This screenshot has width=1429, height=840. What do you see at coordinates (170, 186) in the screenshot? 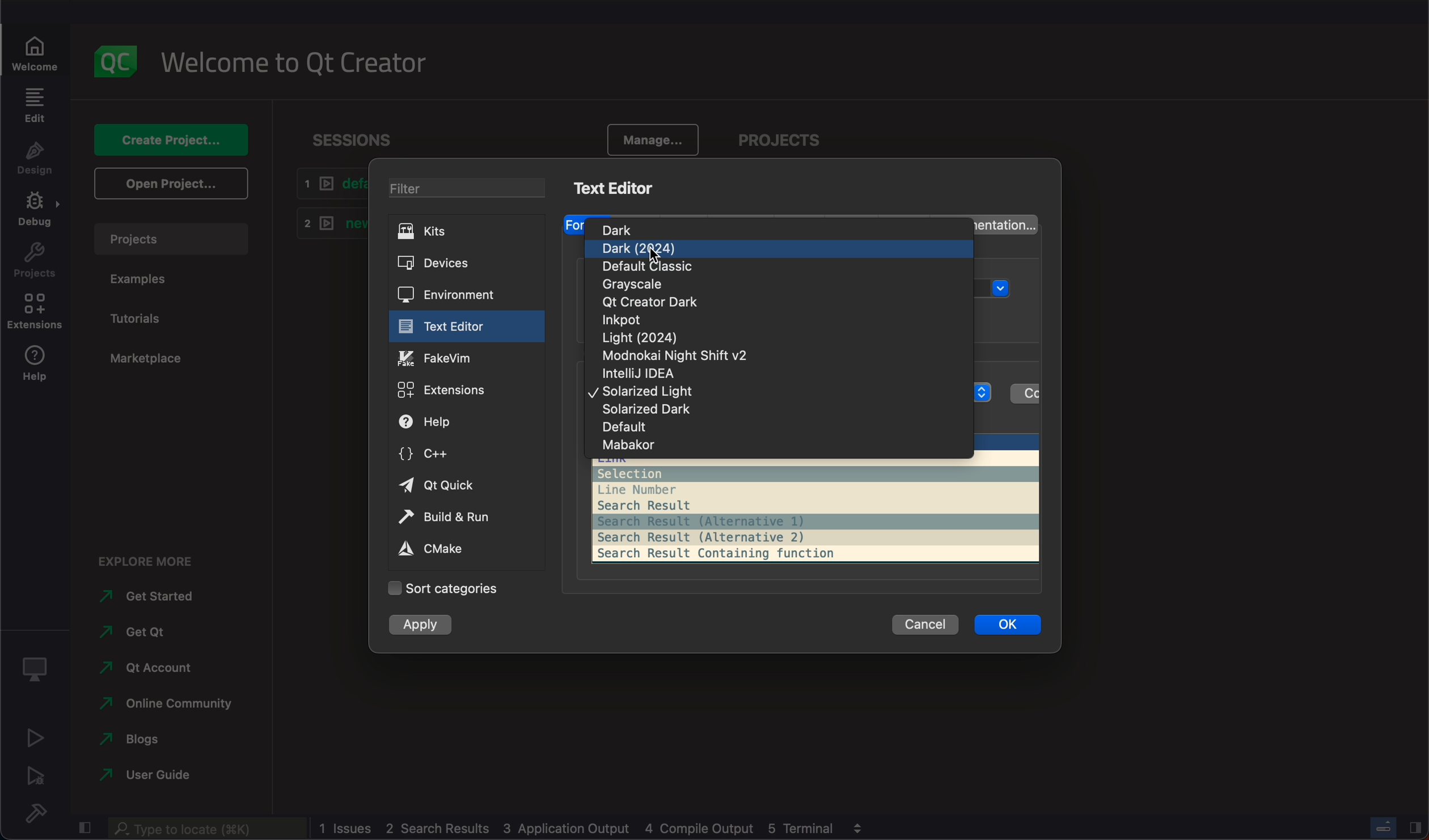
I see `open ` at bounding box center [170, 186].